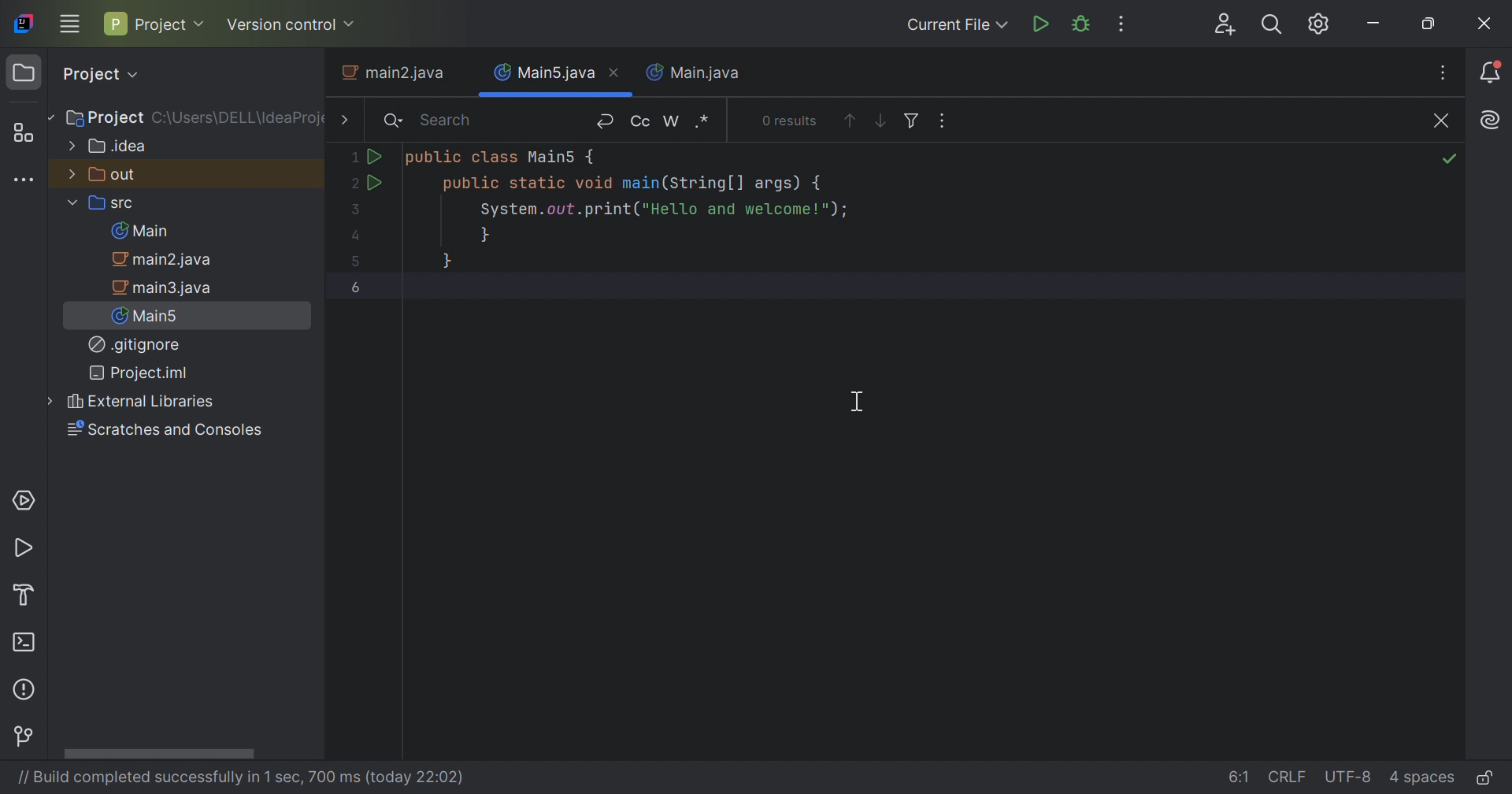 This screenshot has height=794, width=1512. I want to click on Scratches and Consoles, so click(164, 431).